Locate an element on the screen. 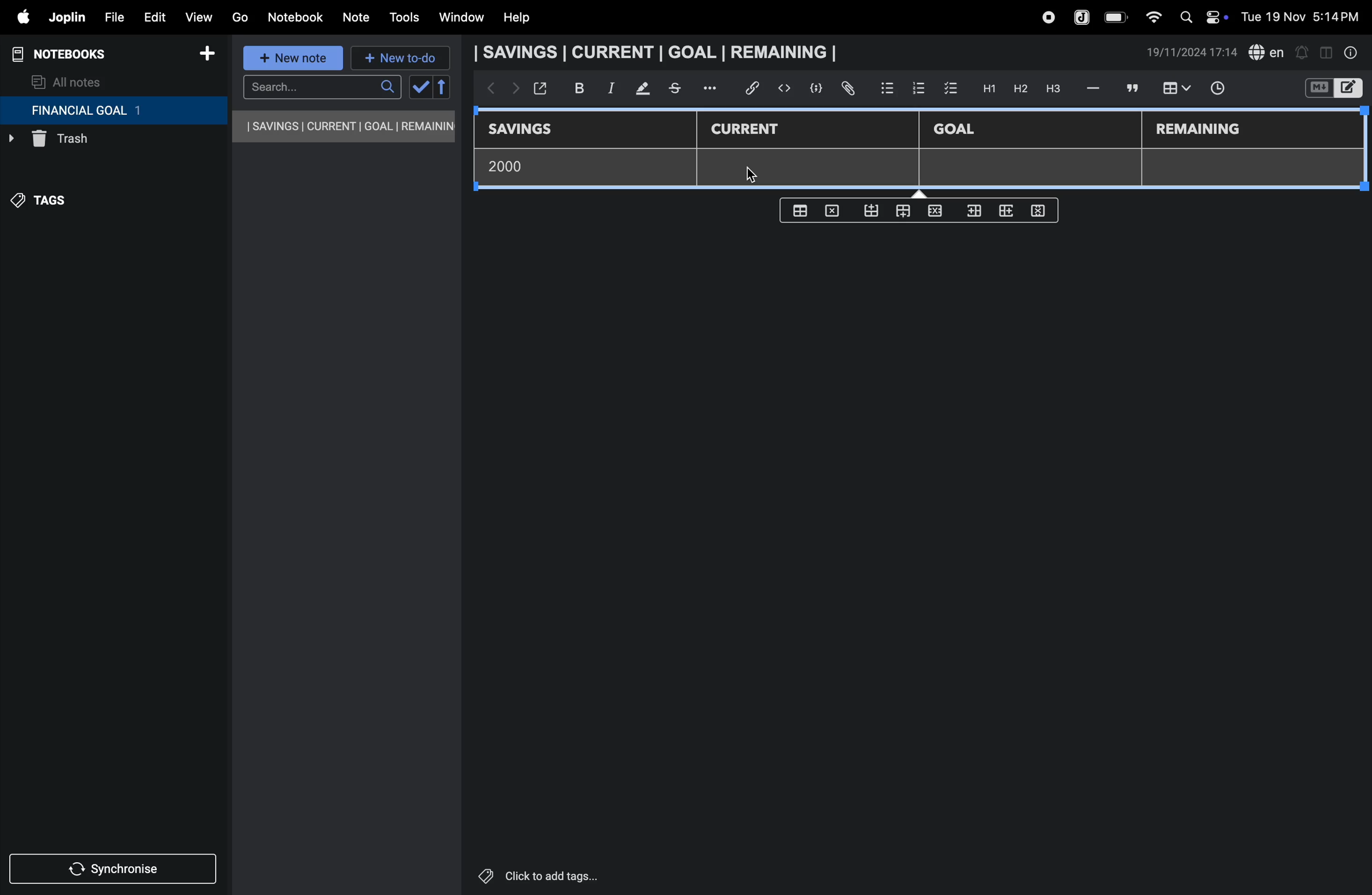  bold is located at coordinates (573, 88).